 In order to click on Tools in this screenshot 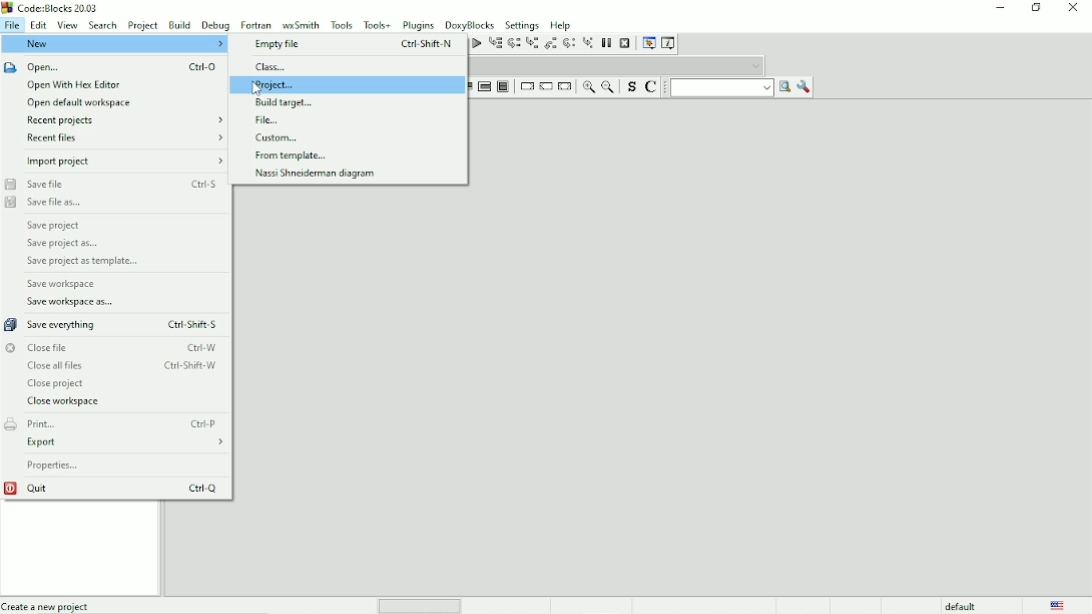, I will do `click(341, 24)`.